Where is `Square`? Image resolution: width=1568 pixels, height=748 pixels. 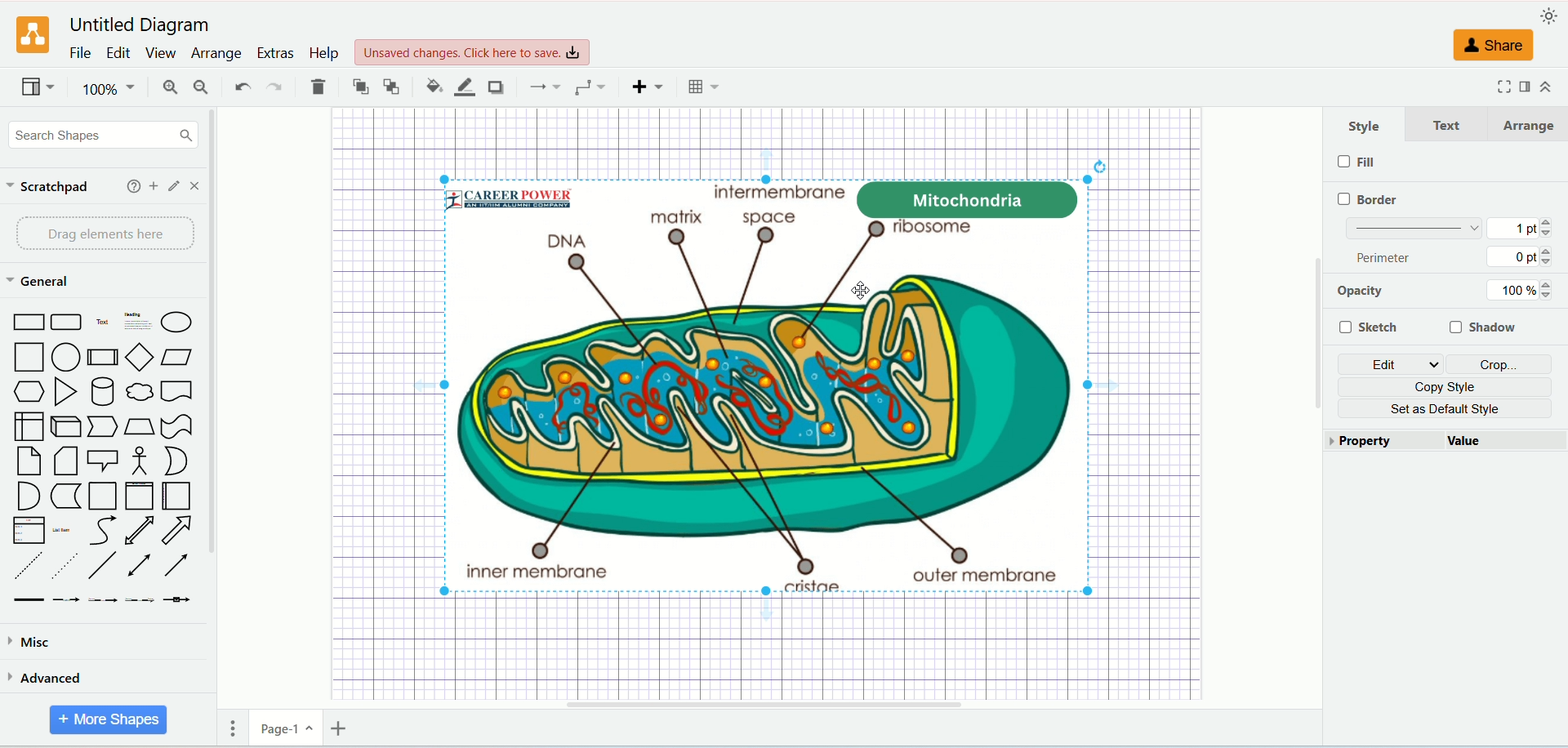
Square is located at coordinates (29, 358).